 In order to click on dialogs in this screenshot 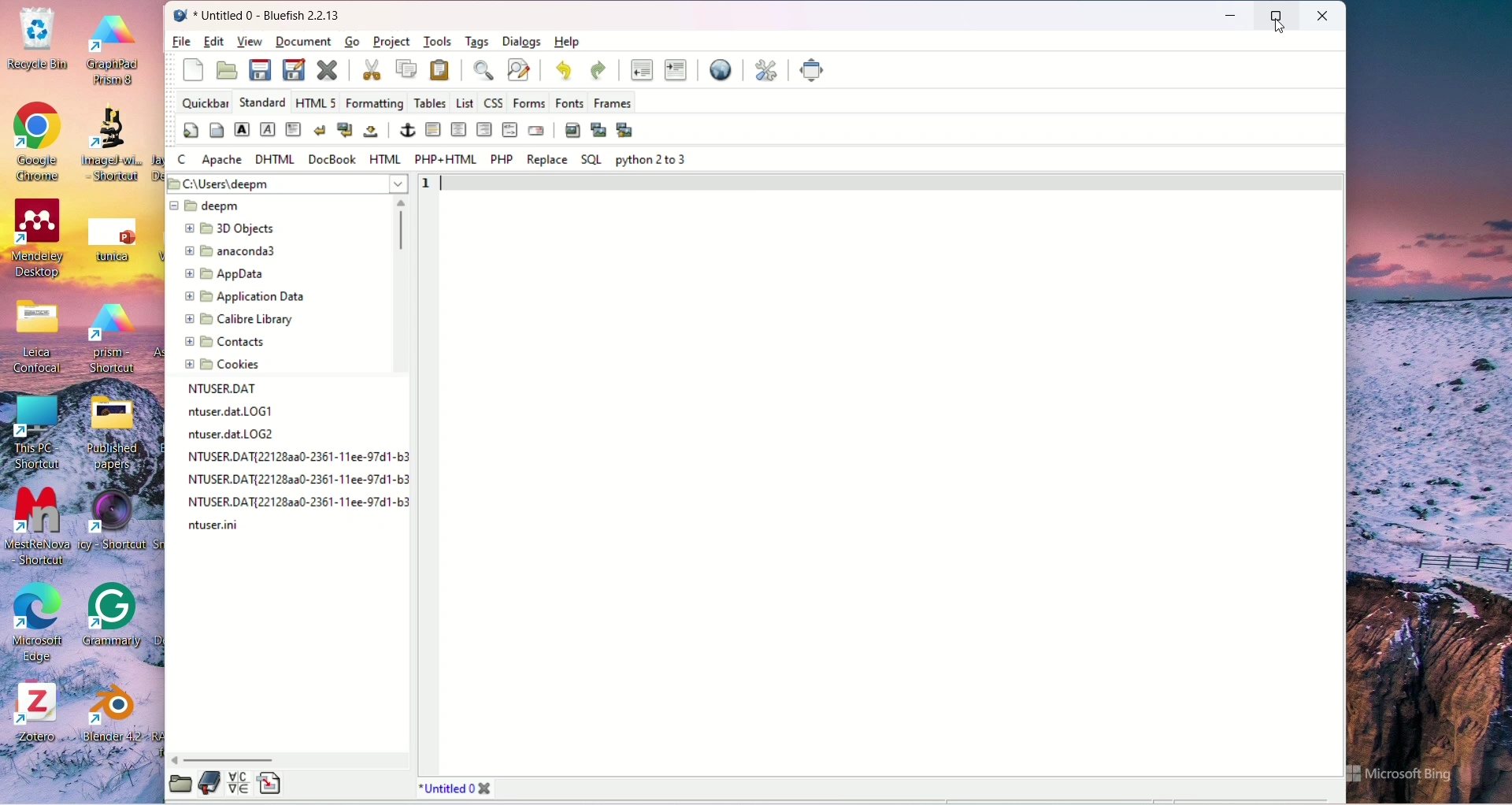, I will do `click(522, 42)`.